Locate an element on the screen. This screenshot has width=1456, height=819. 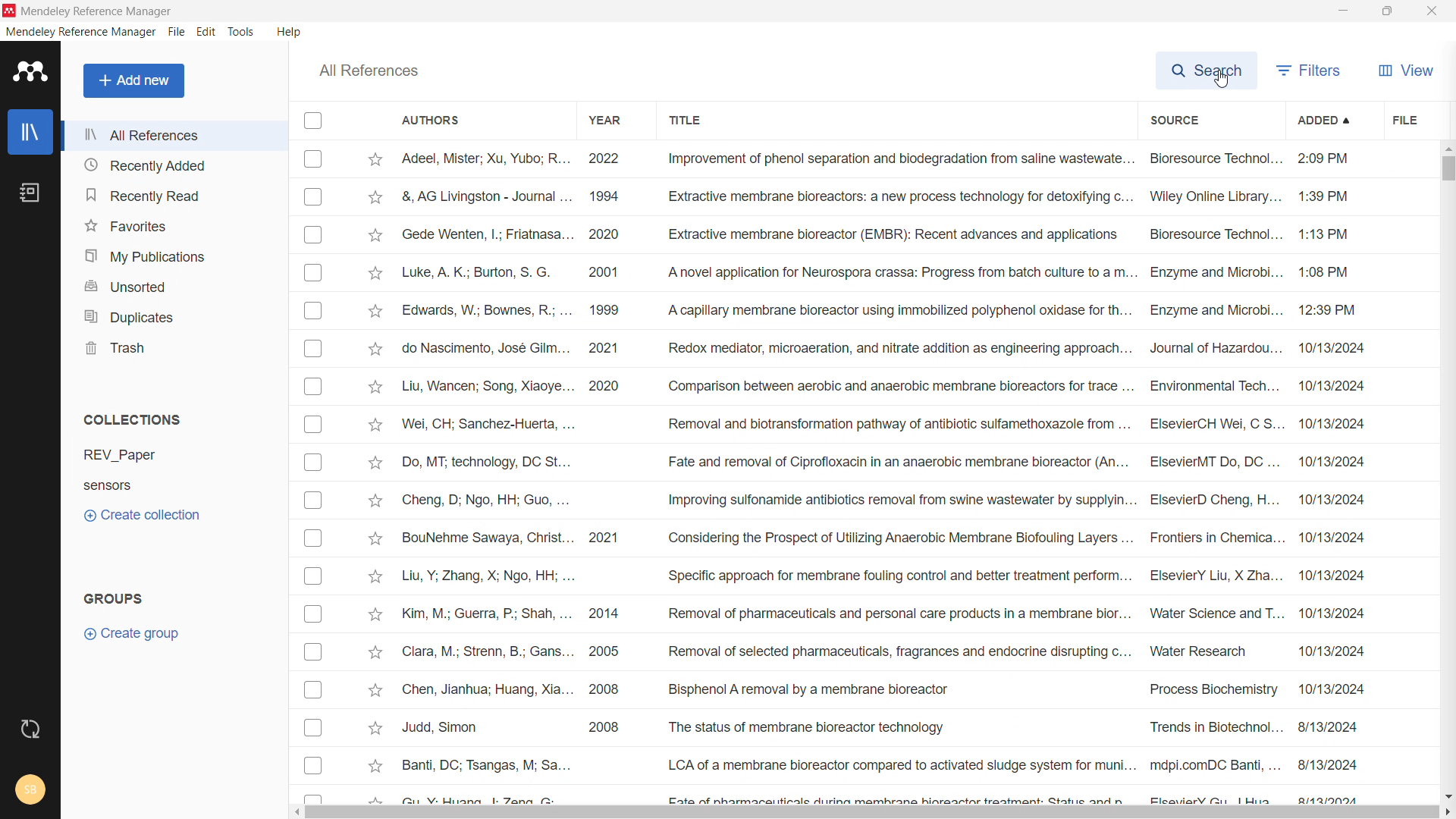
REV_Paper is located at coordinates (158, 456).